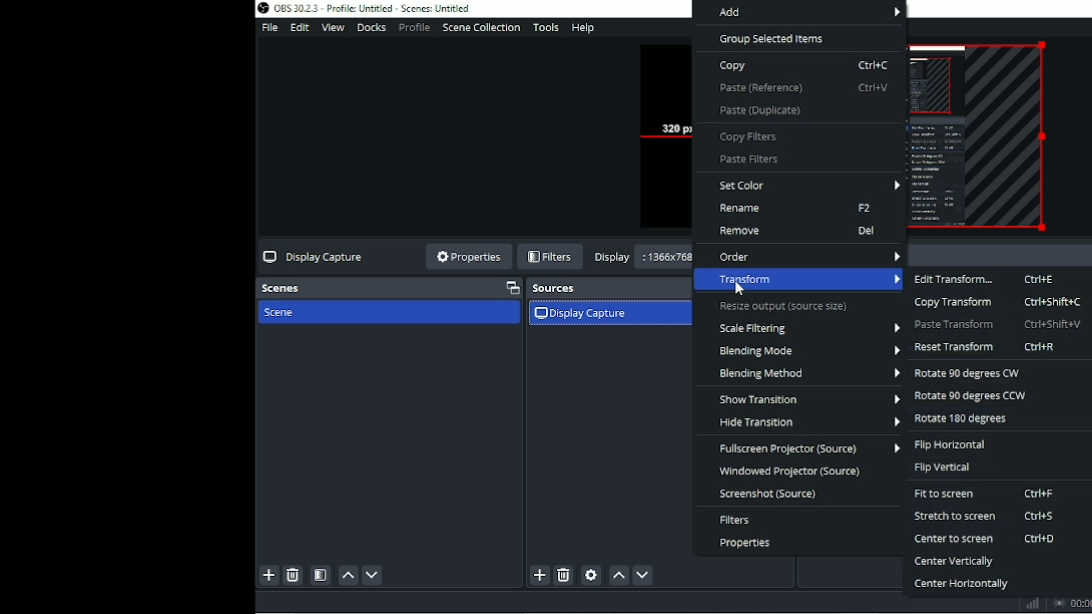  I want to click on Add scene, so click(267, 576).